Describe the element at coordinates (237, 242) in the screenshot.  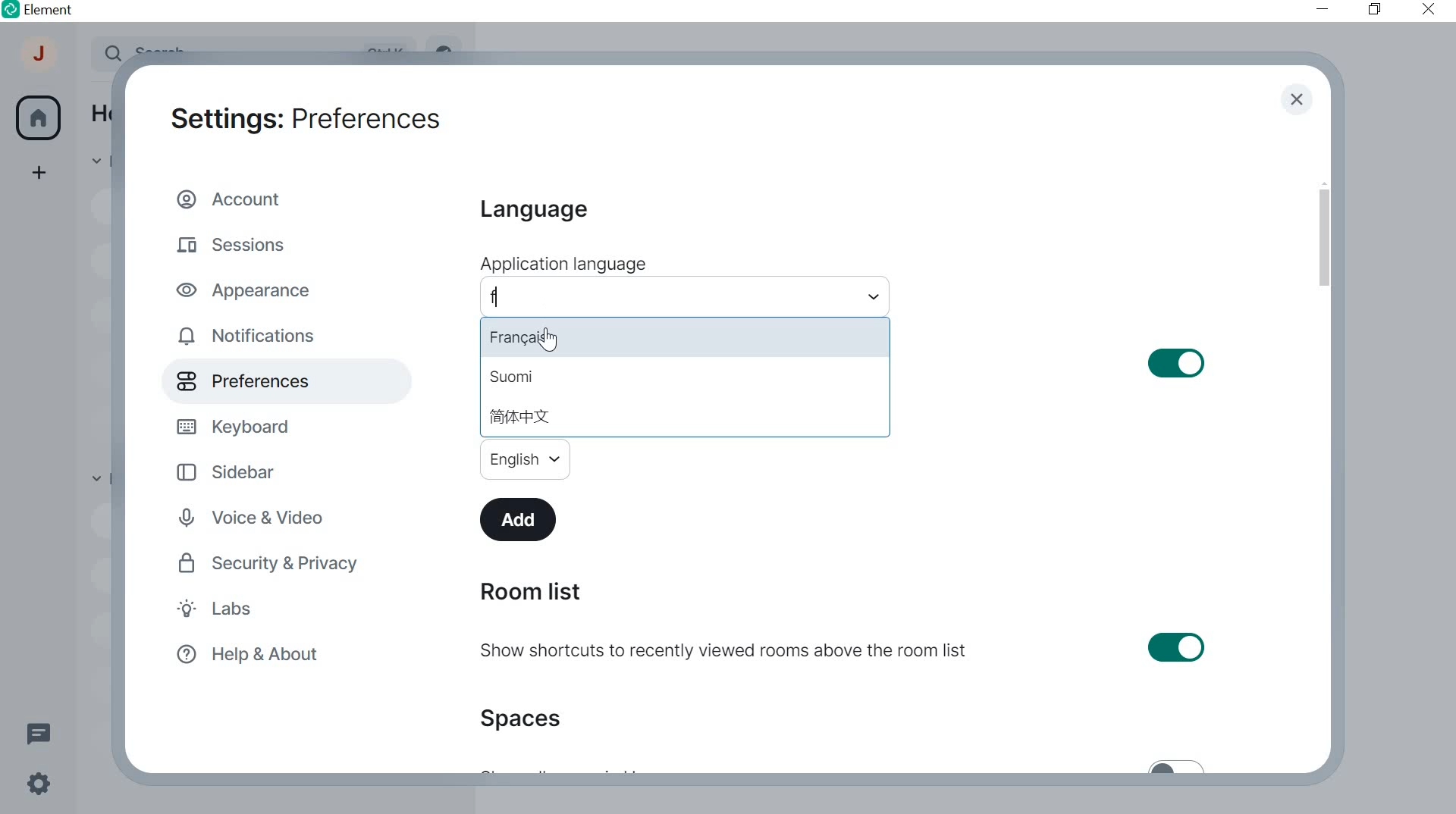
I see `SESSIONS` at that location.